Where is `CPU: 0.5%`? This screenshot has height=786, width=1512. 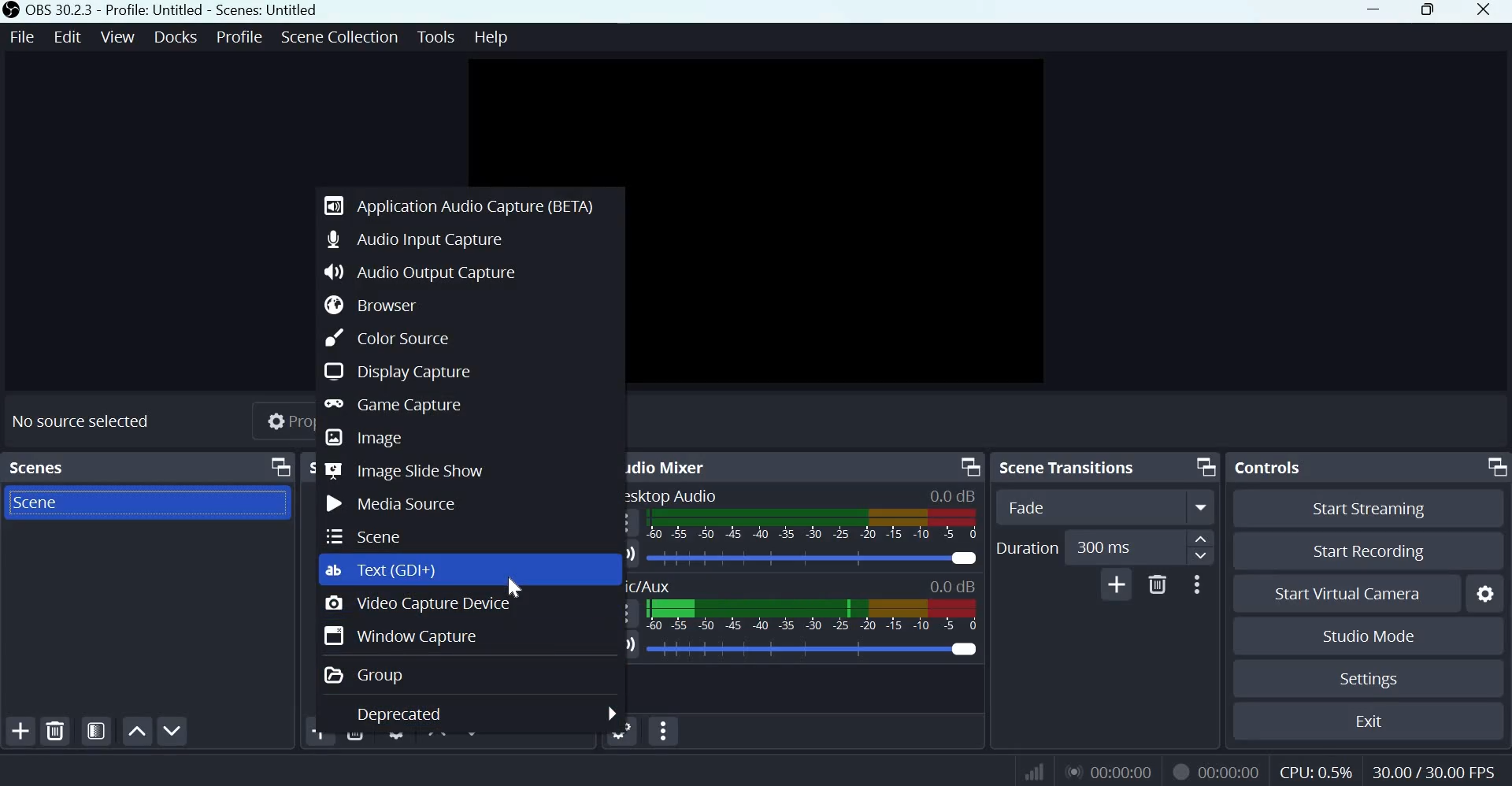 CPU: 0.5% is located at coordinates (1317, 769).